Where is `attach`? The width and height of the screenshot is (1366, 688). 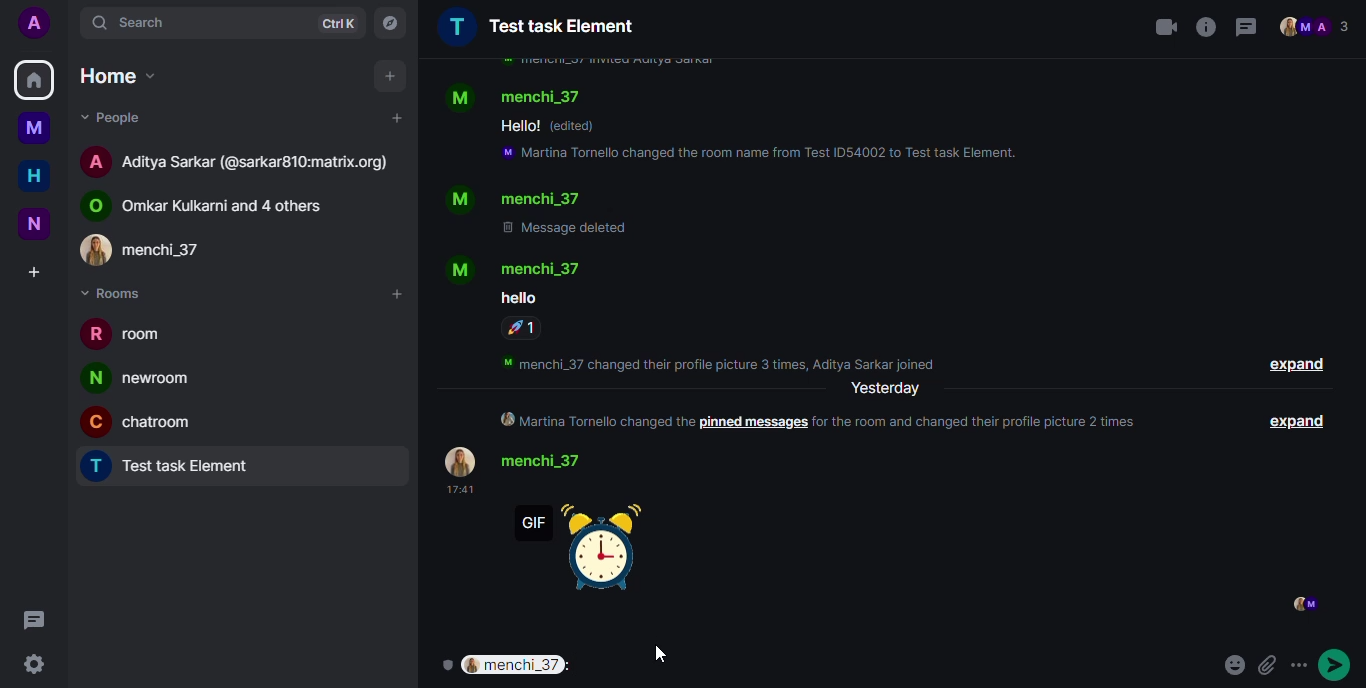
attach is located at coordinates (1270, 661).